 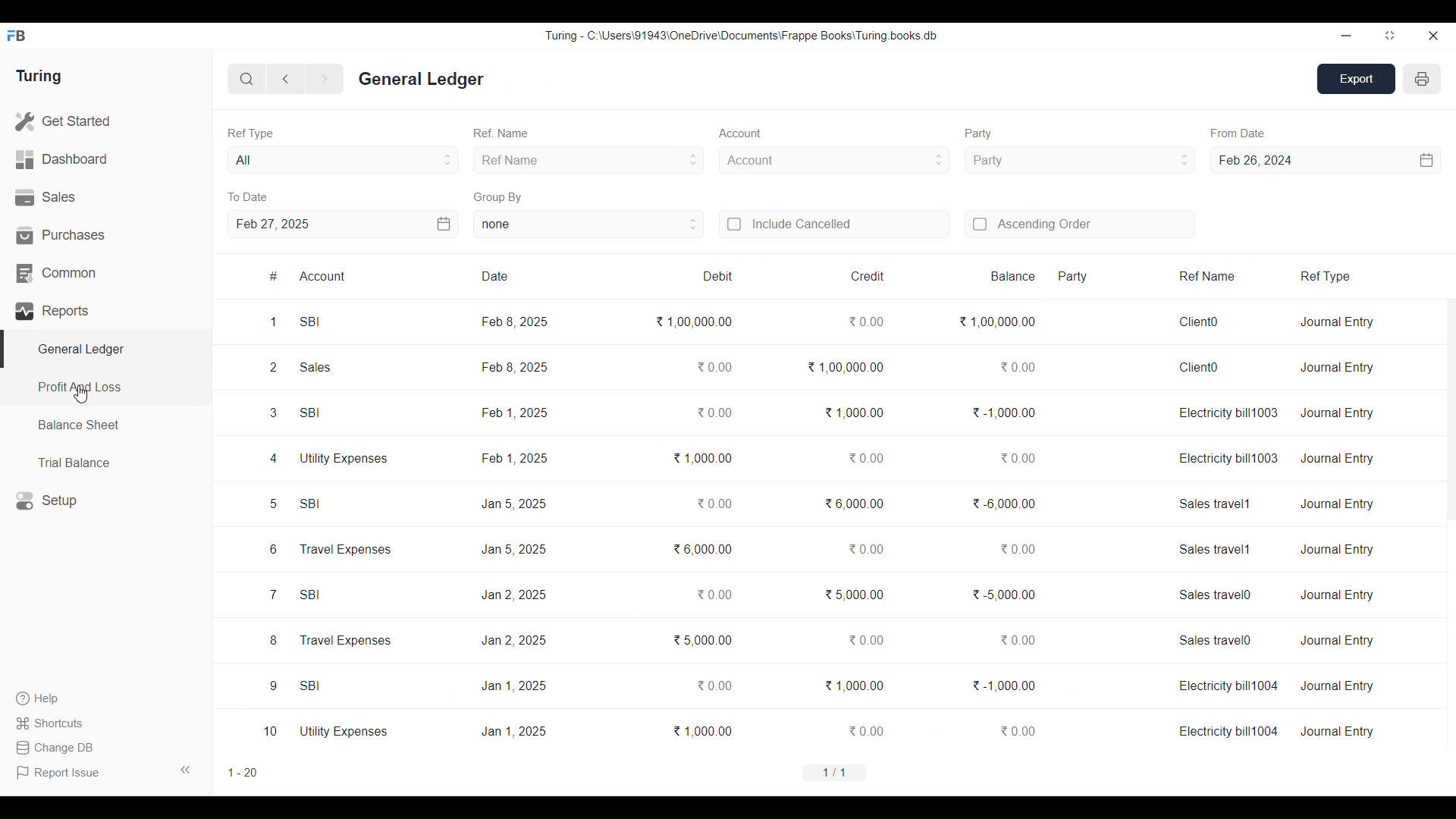 What do you see at coordinates (702, 640) in the screenshot?
I see `5,000.00` at bounding box center [702, 640].